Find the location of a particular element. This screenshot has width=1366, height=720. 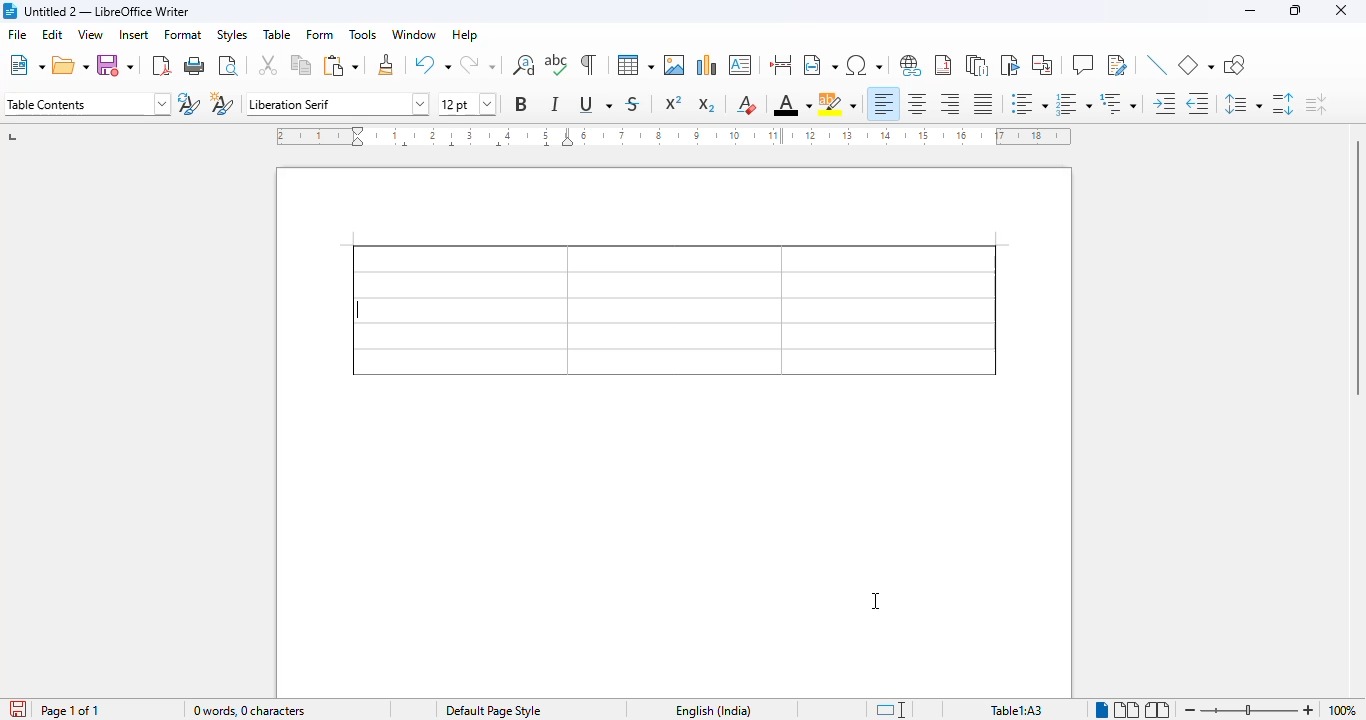

character highlighting color is located at coordinates (837, 104).